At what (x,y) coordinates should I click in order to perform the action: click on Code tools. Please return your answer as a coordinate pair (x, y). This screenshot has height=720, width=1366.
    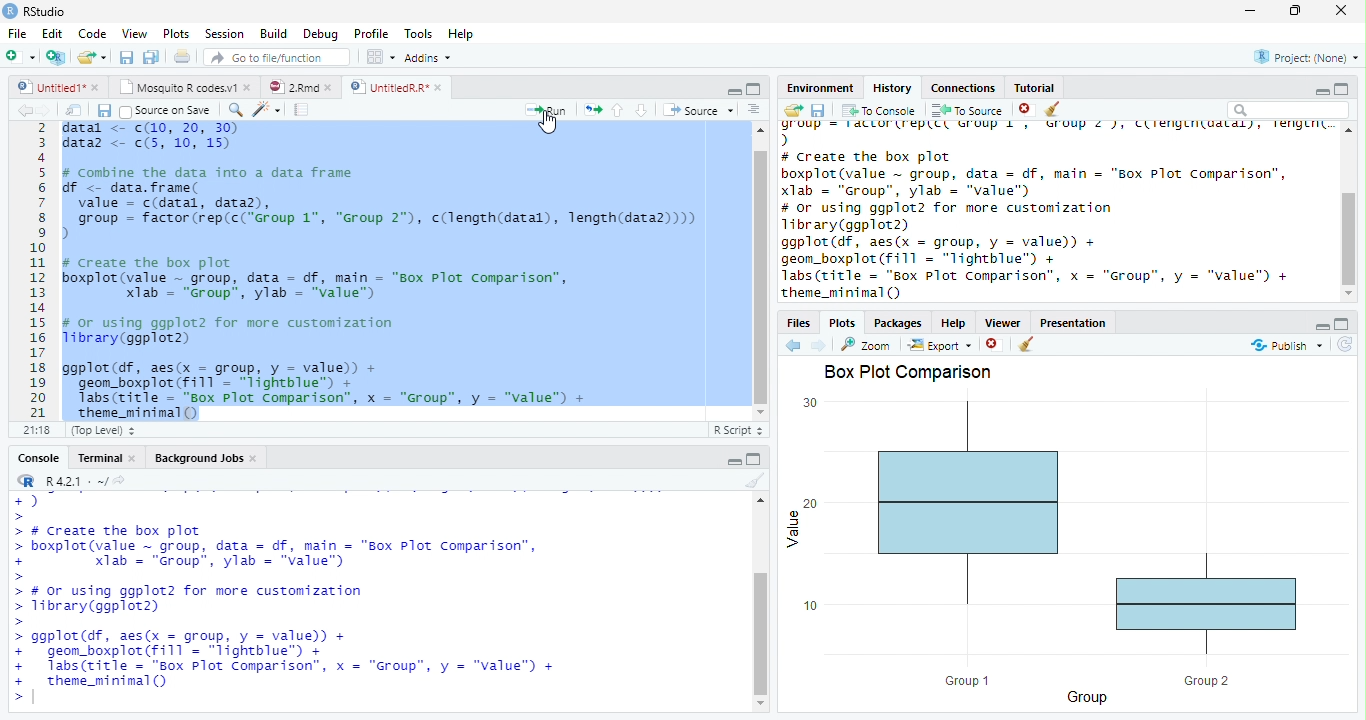
    Looking at the image, I should click on (267, 110).